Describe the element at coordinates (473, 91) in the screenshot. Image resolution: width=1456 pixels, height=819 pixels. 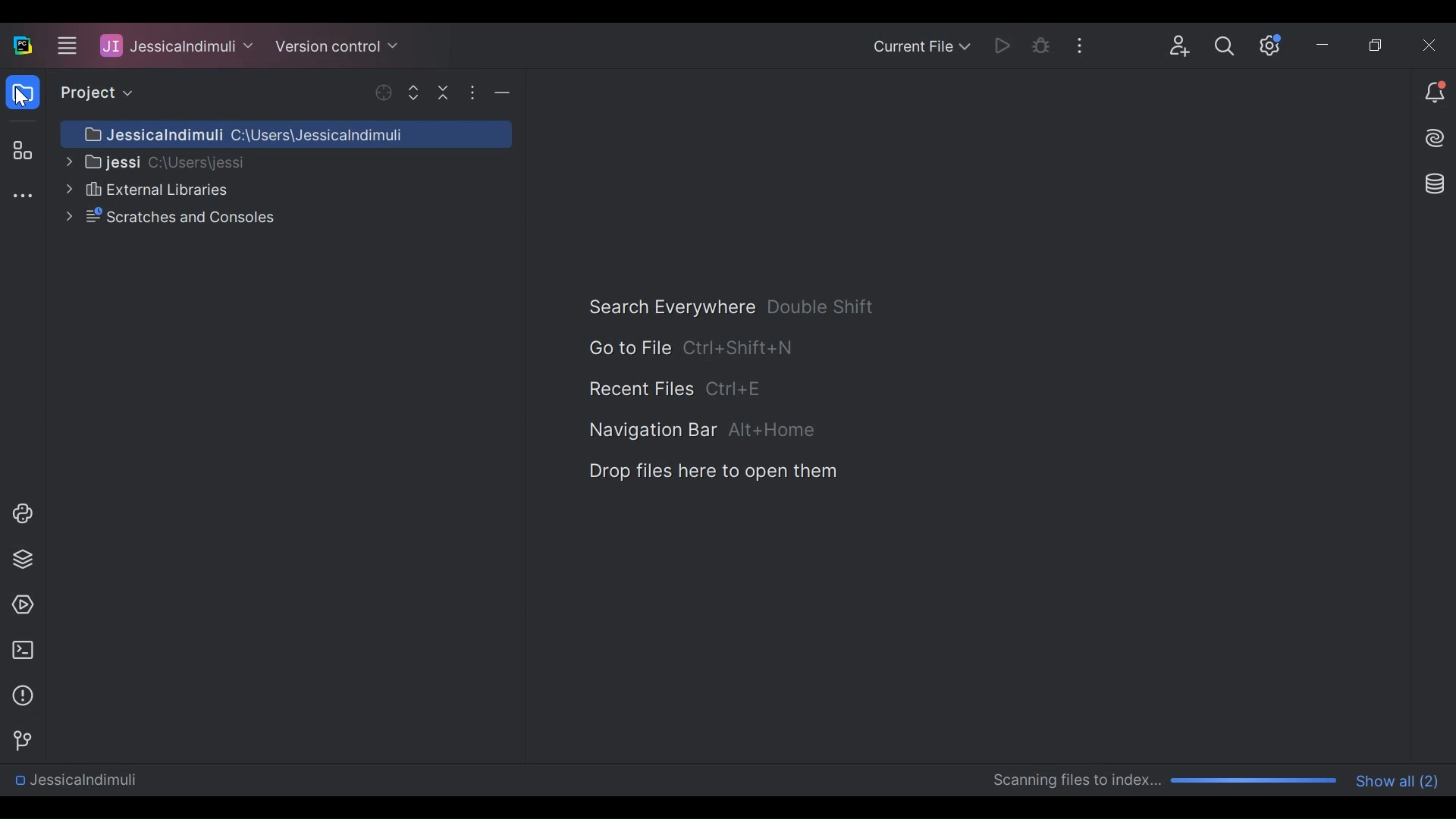
I see `More Options` at that location.